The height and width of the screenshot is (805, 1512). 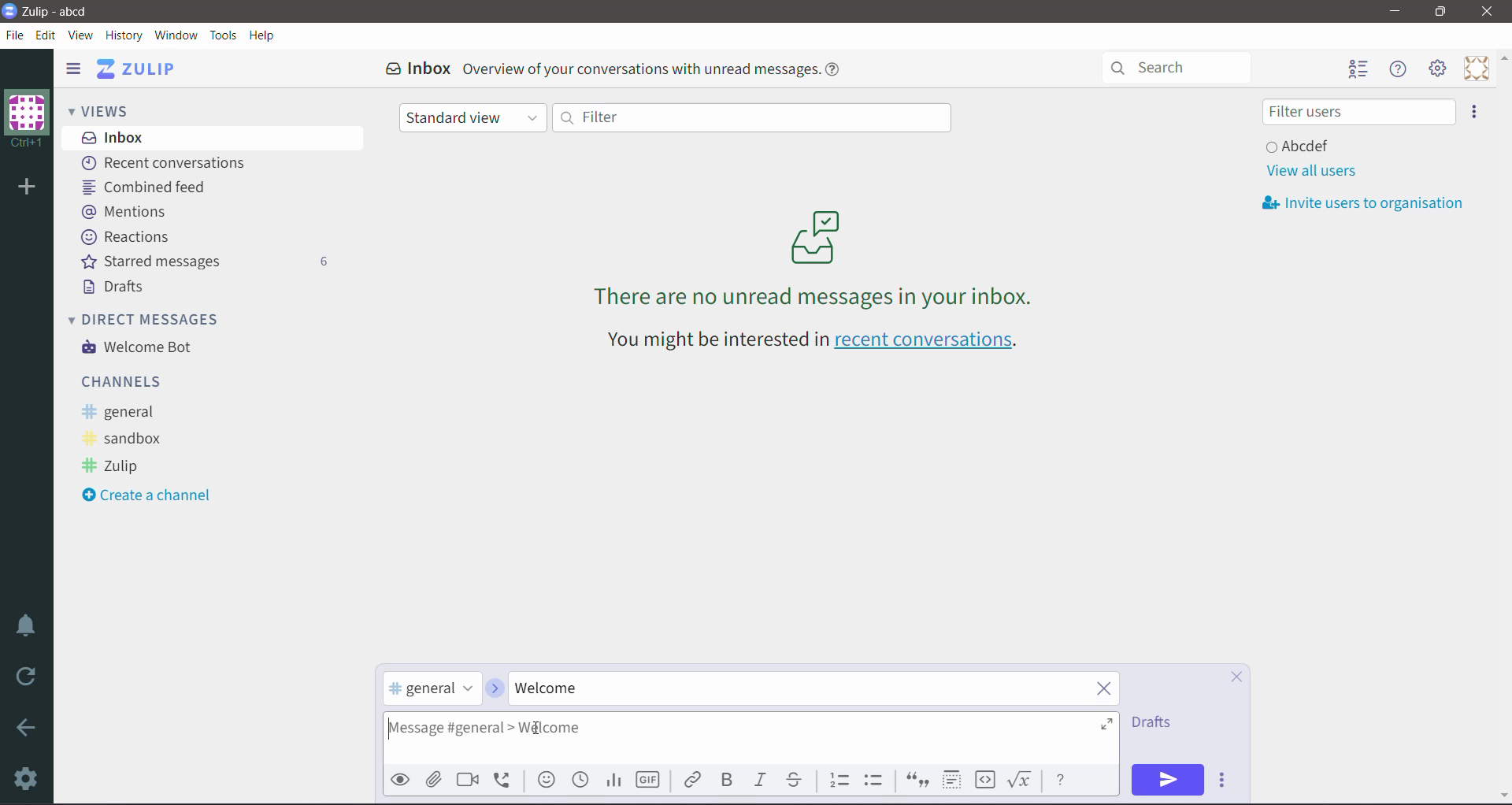 What do you see at coordinates (153, 496) in the screenshot?
I see `Create a Channel` at bounding box center [153, 496].